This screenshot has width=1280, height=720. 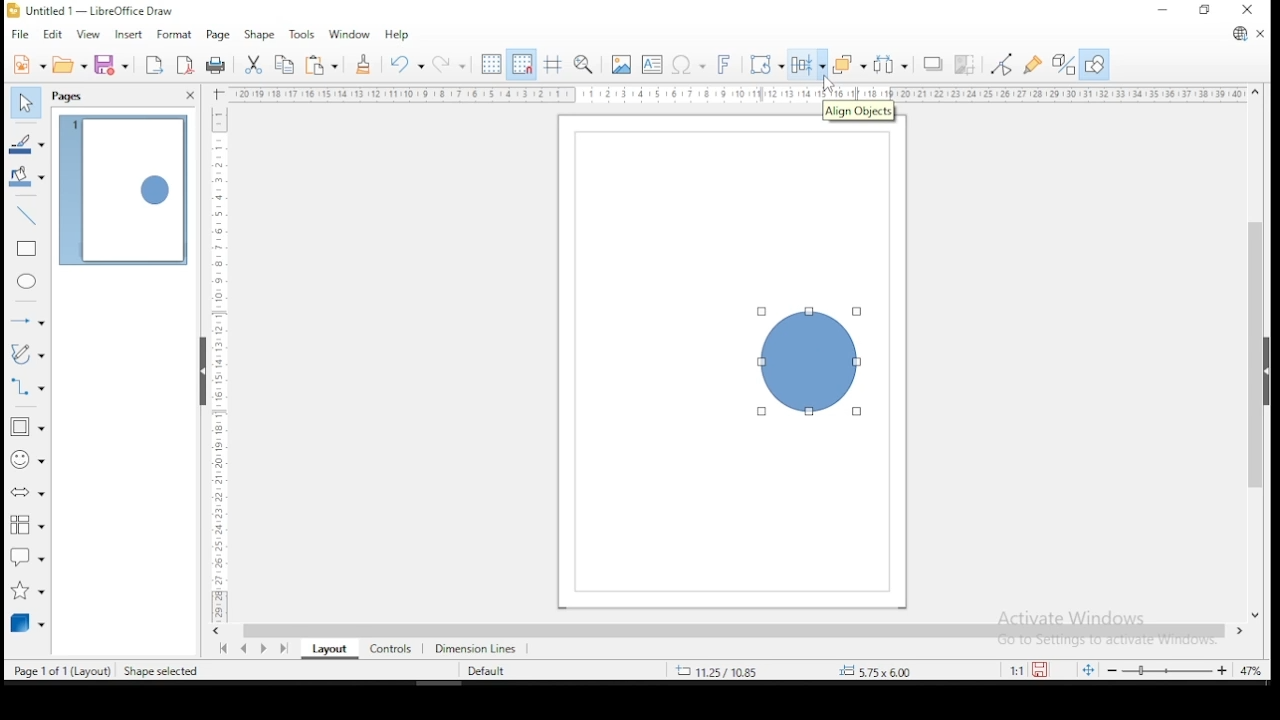 I want to click on save, so click(x=1042, y=670).